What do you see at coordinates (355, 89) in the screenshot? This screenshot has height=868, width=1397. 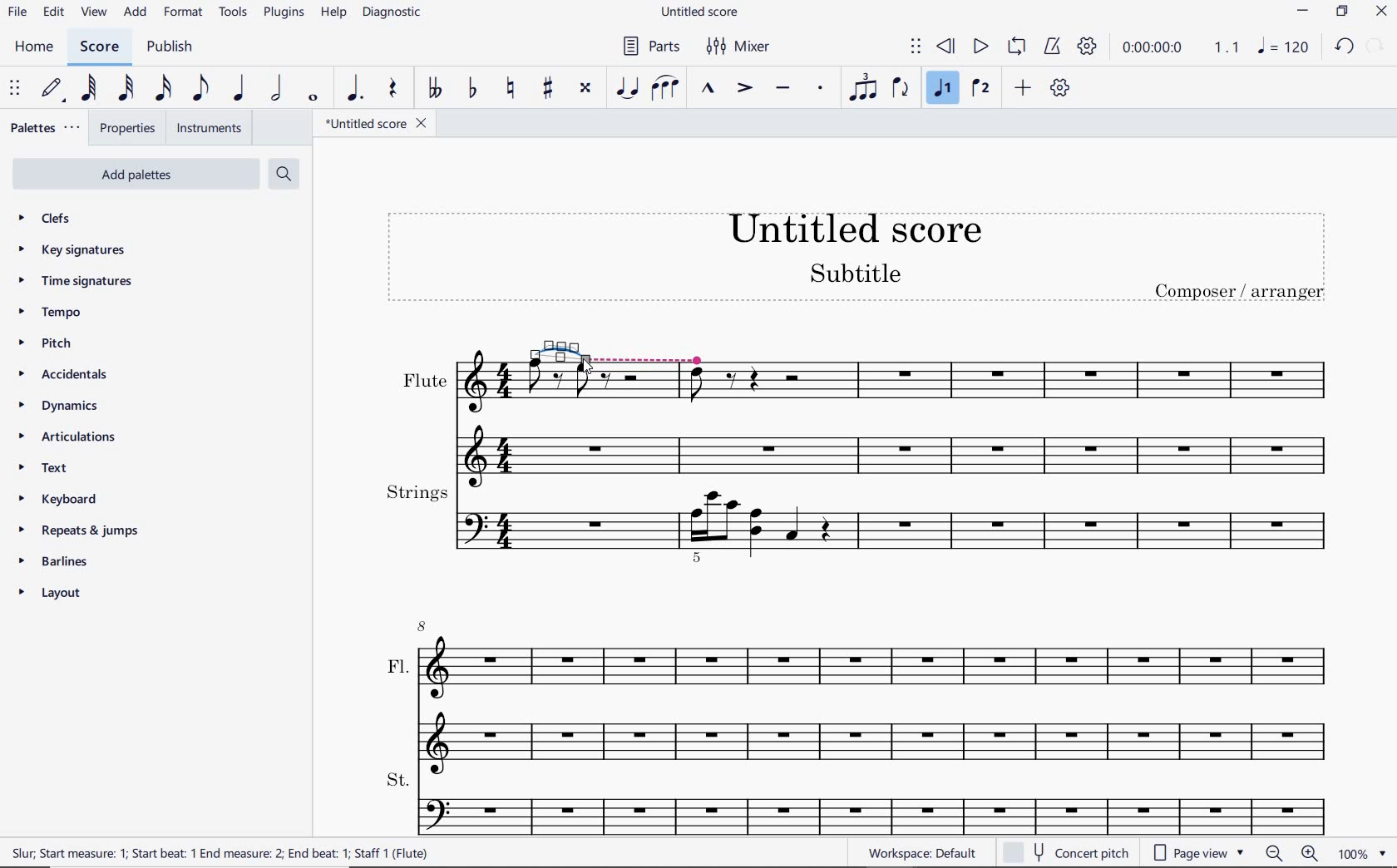 I see `AUGMENTATION DOT` at bounding box center [355, 89].